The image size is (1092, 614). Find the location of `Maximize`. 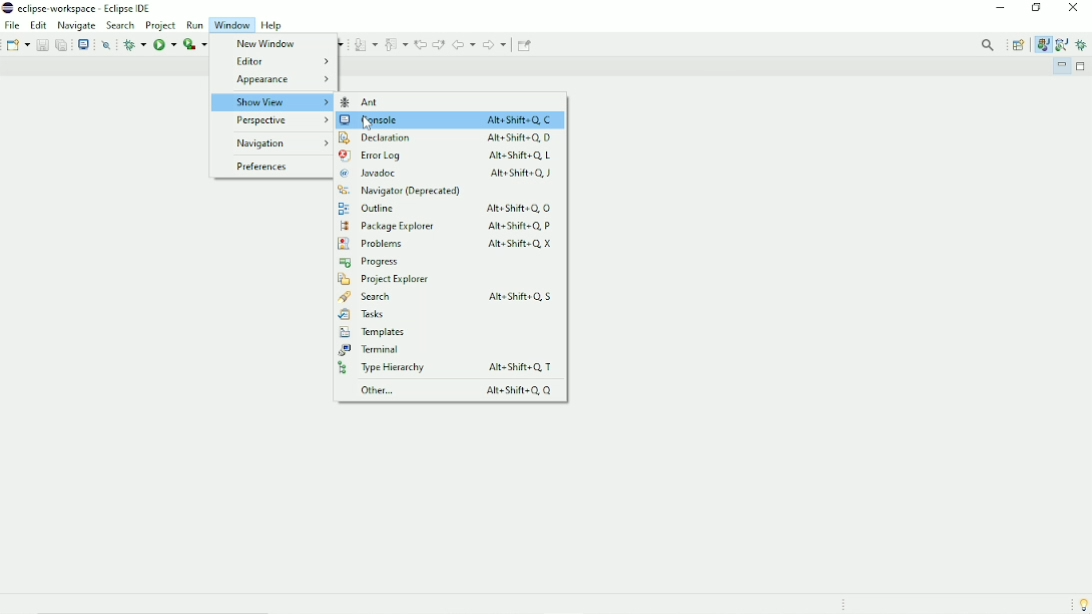

Maximize is located at coordinates (1082, 66).